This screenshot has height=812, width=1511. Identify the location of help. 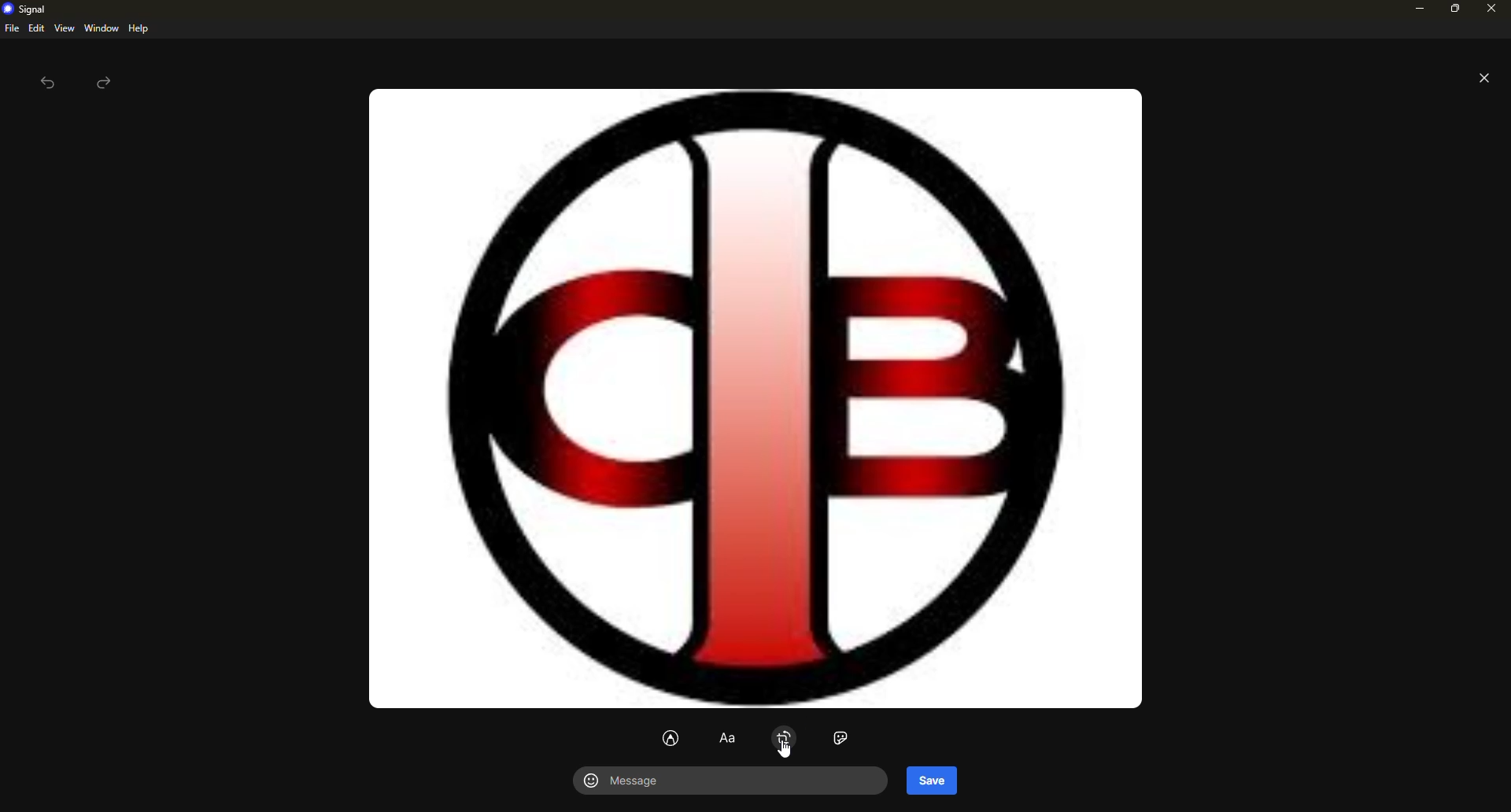
(138, 28).